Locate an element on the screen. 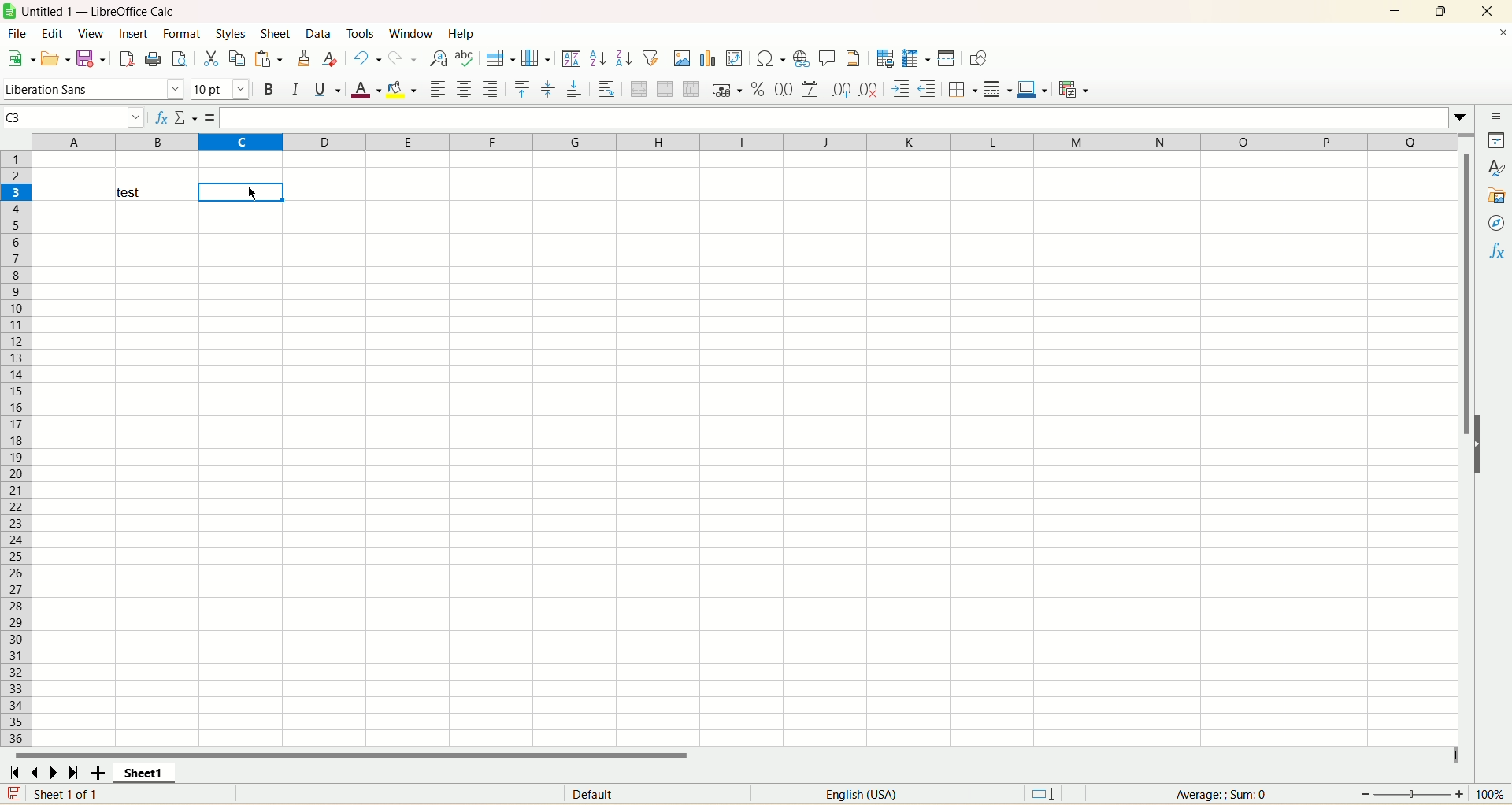 The image size is (1512, 805). sheet1 is located at coordinates (144, 772).